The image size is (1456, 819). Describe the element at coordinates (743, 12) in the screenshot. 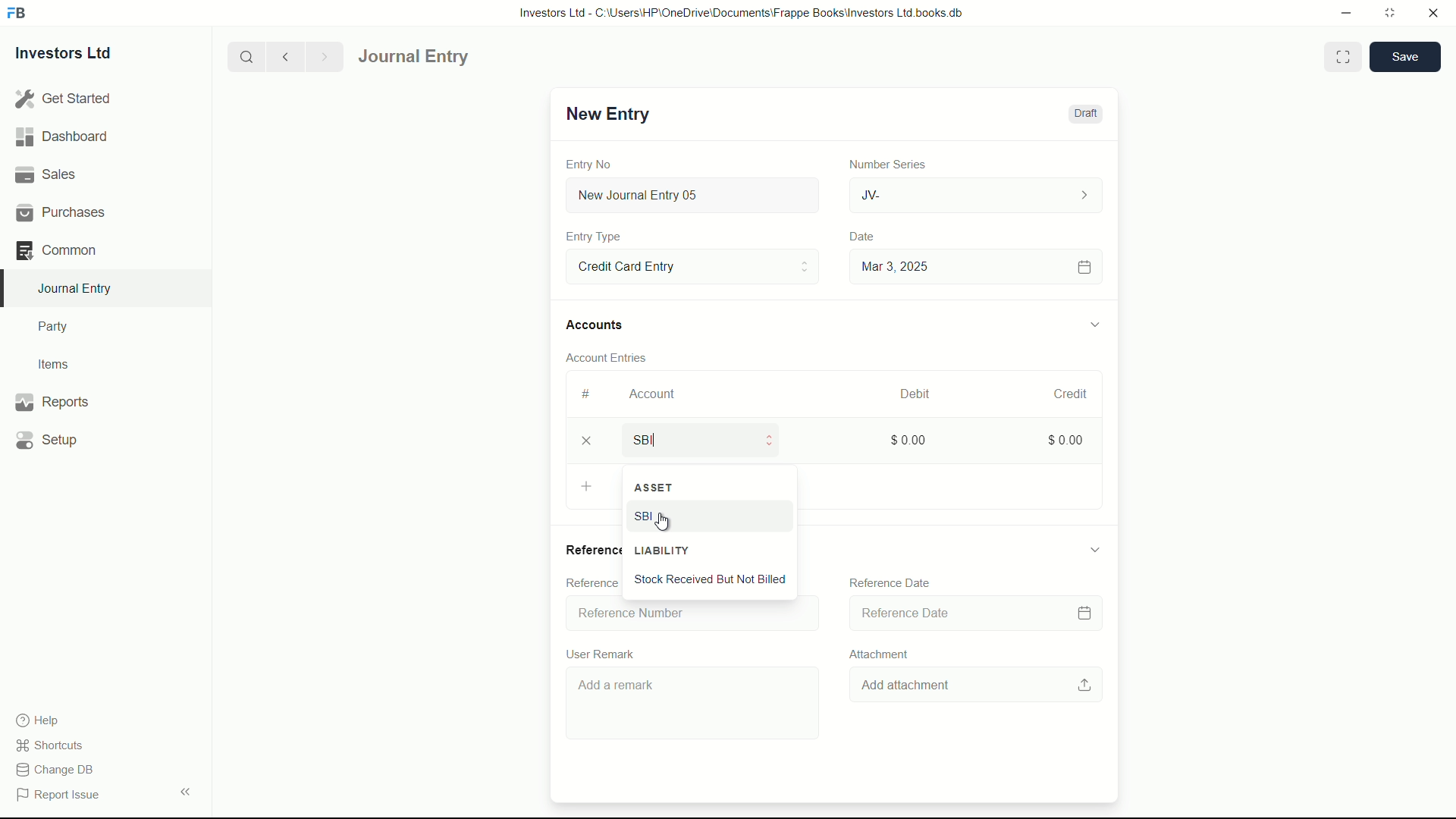

I see `Investors Ltd - C:\Users\HP\OneDrive\Documents\Frappe Books\Investors Ltd books.db` at that location.